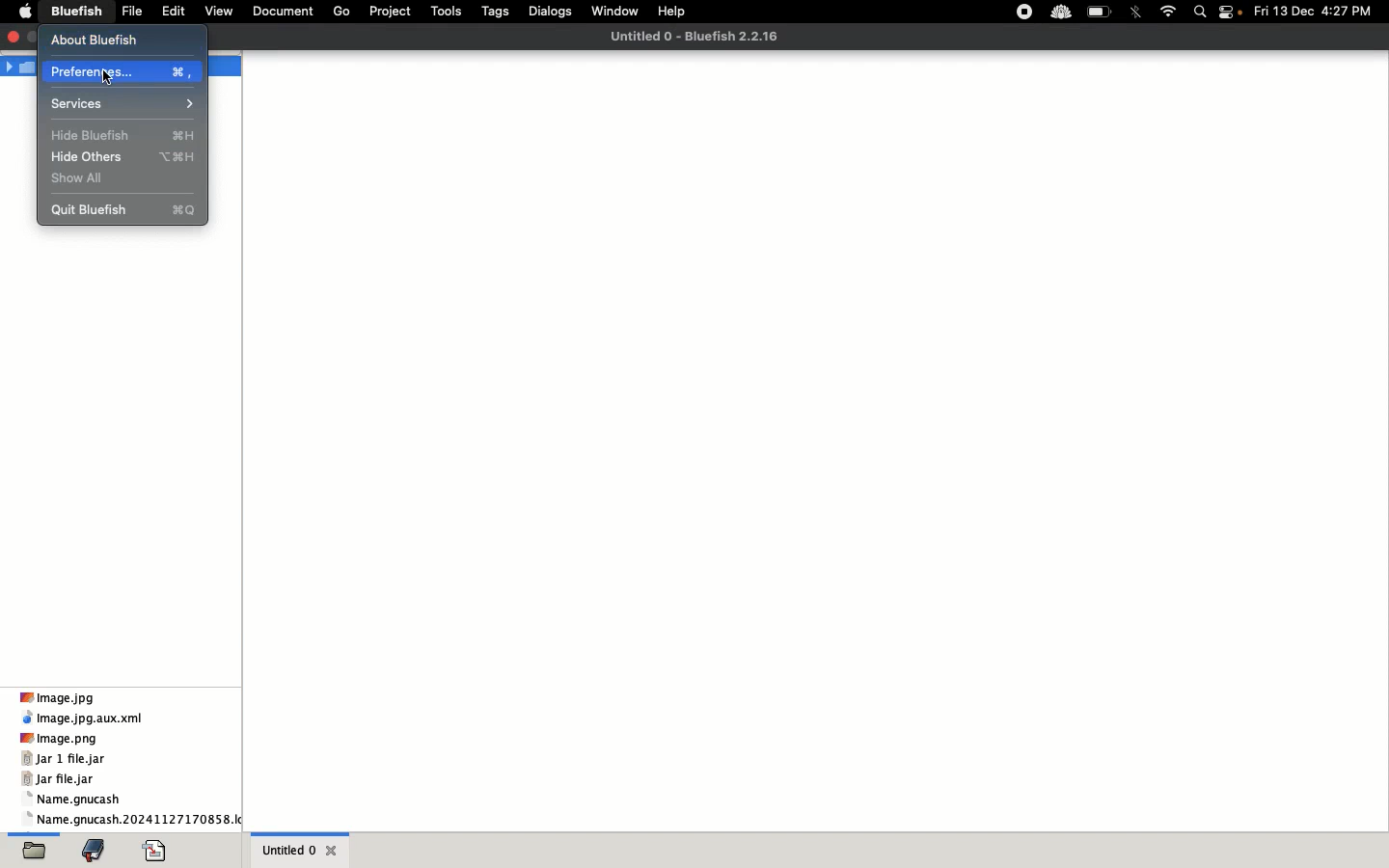 Image resolution: width=1389 pixels, height=868 pixels. What do you see at coordinates (21, 13) in the screenshot?
I see `Apple logo` at bounding box center [21, 13].